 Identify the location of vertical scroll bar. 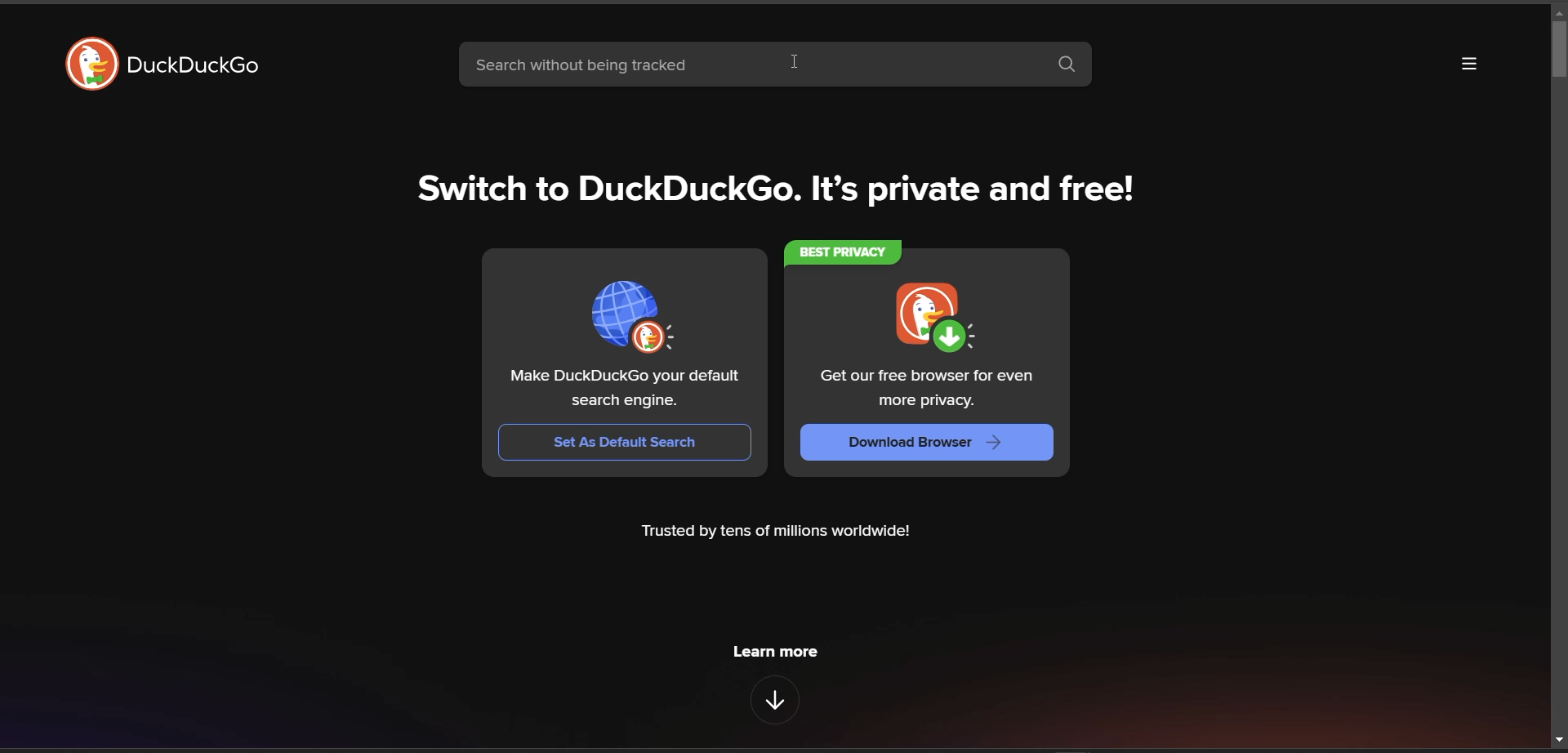
(1558, 48).